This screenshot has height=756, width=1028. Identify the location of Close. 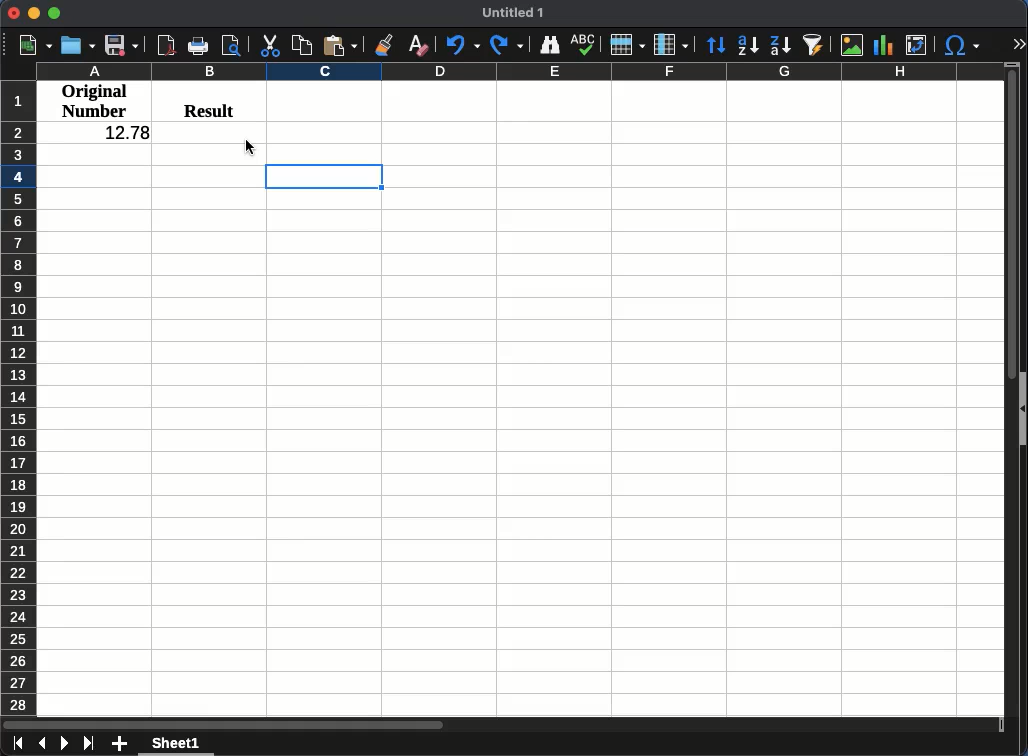
(14, 13).